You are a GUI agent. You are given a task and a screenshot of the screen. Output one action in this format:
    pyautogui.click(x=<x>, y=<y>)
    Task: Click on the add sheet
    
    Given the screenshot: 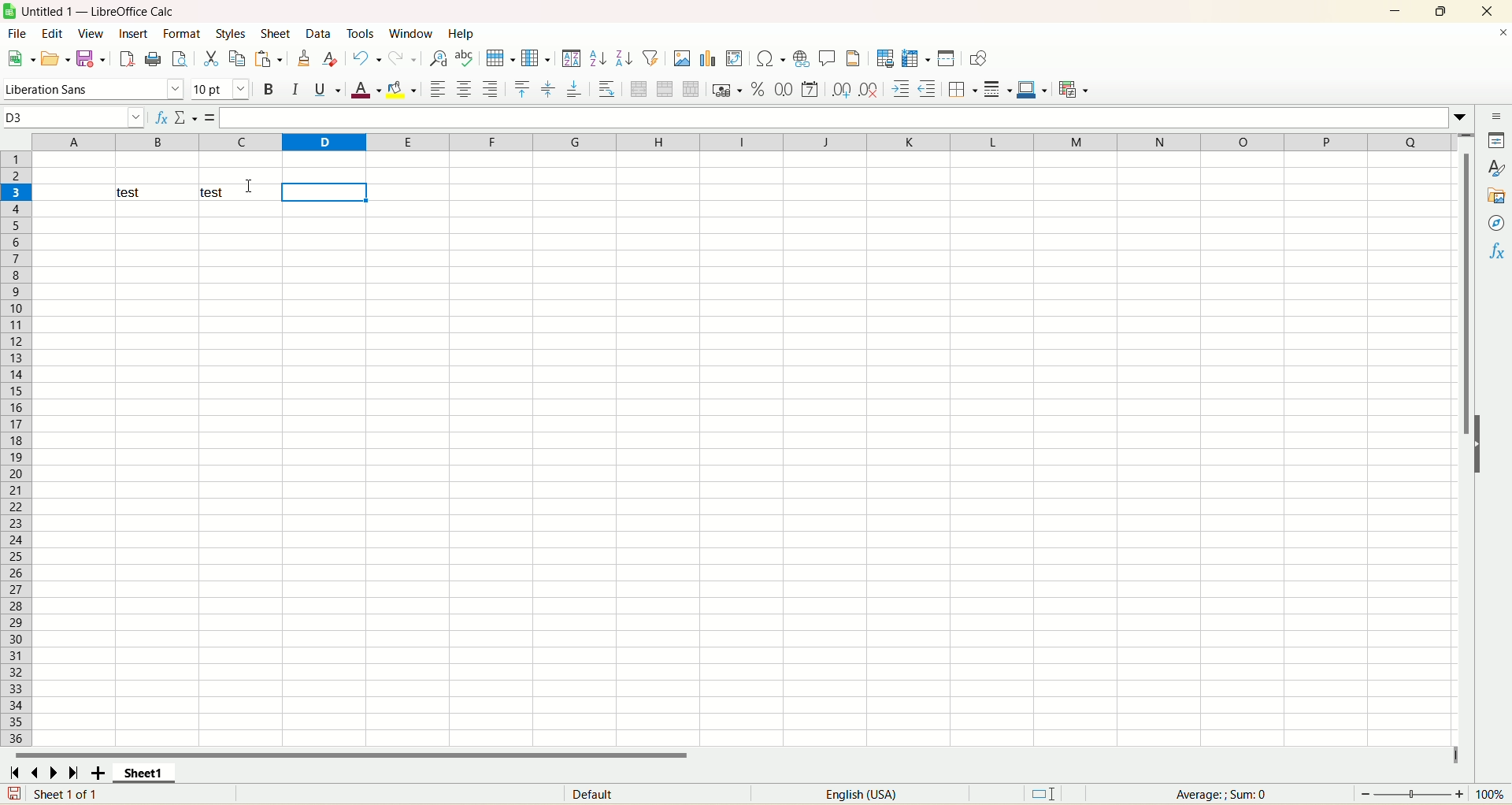 What is the action you would take?
    pyautogui.click(x=98, y=772)
    